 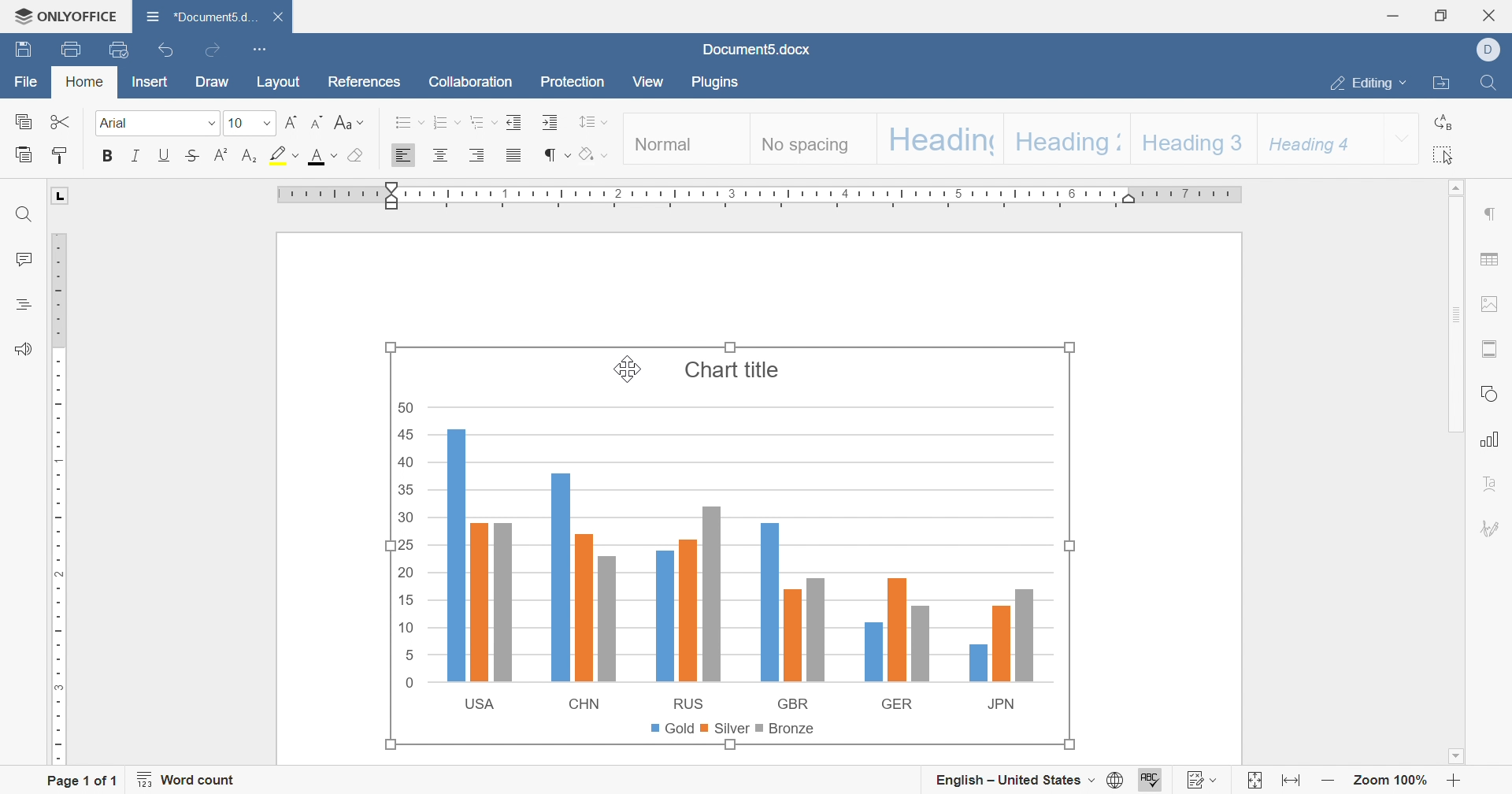 I want to click on editing, so click(x=1369, y=84).